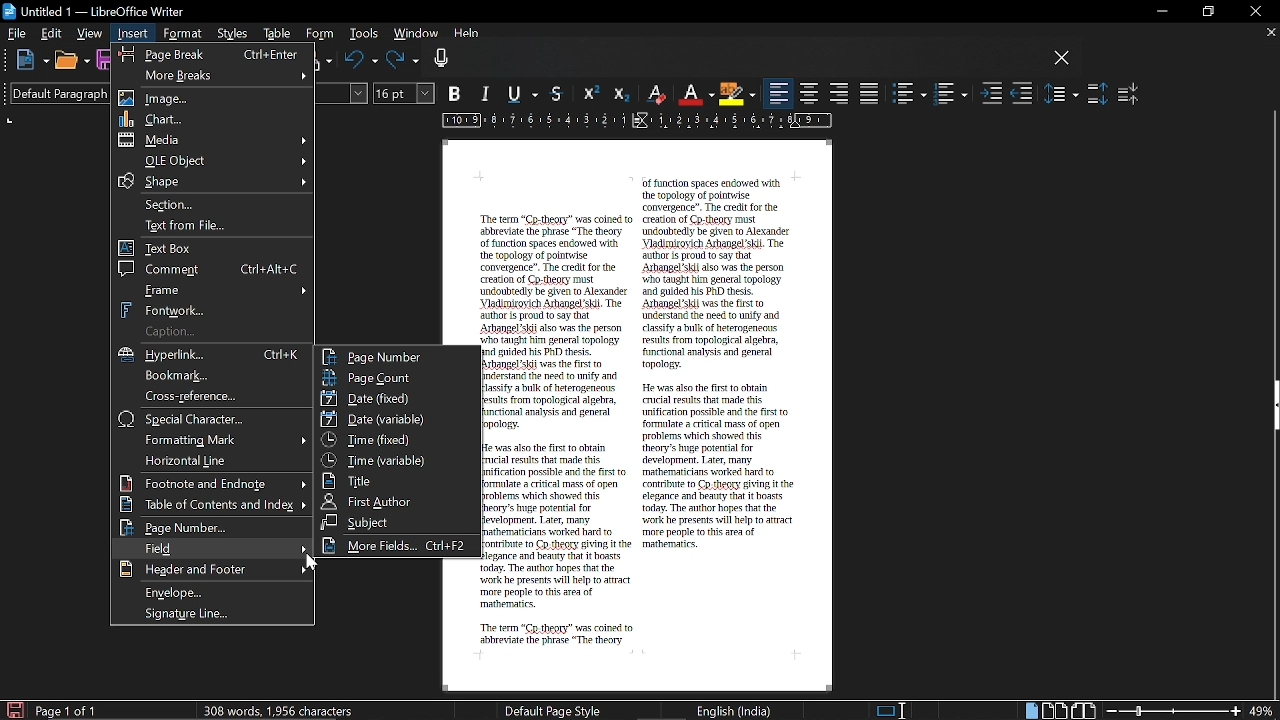 This screenshot has width=1280, height=720. I want to click on Minimize, so click(1158, 12).